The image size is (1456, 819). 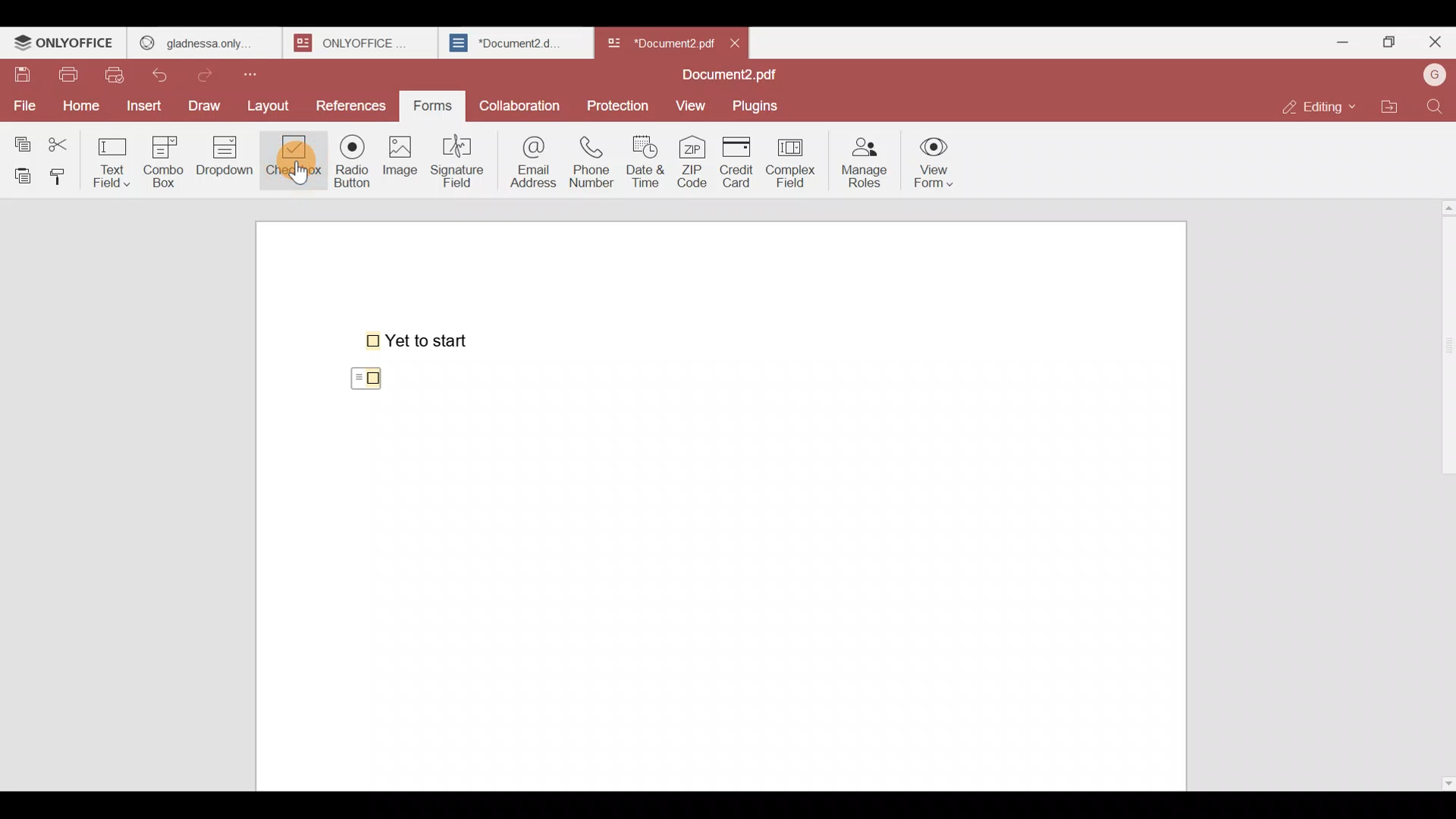 What do you see at coordinates (649, 162) in the screenshot?
I see `Date & time` at bounding box center [649, 162].